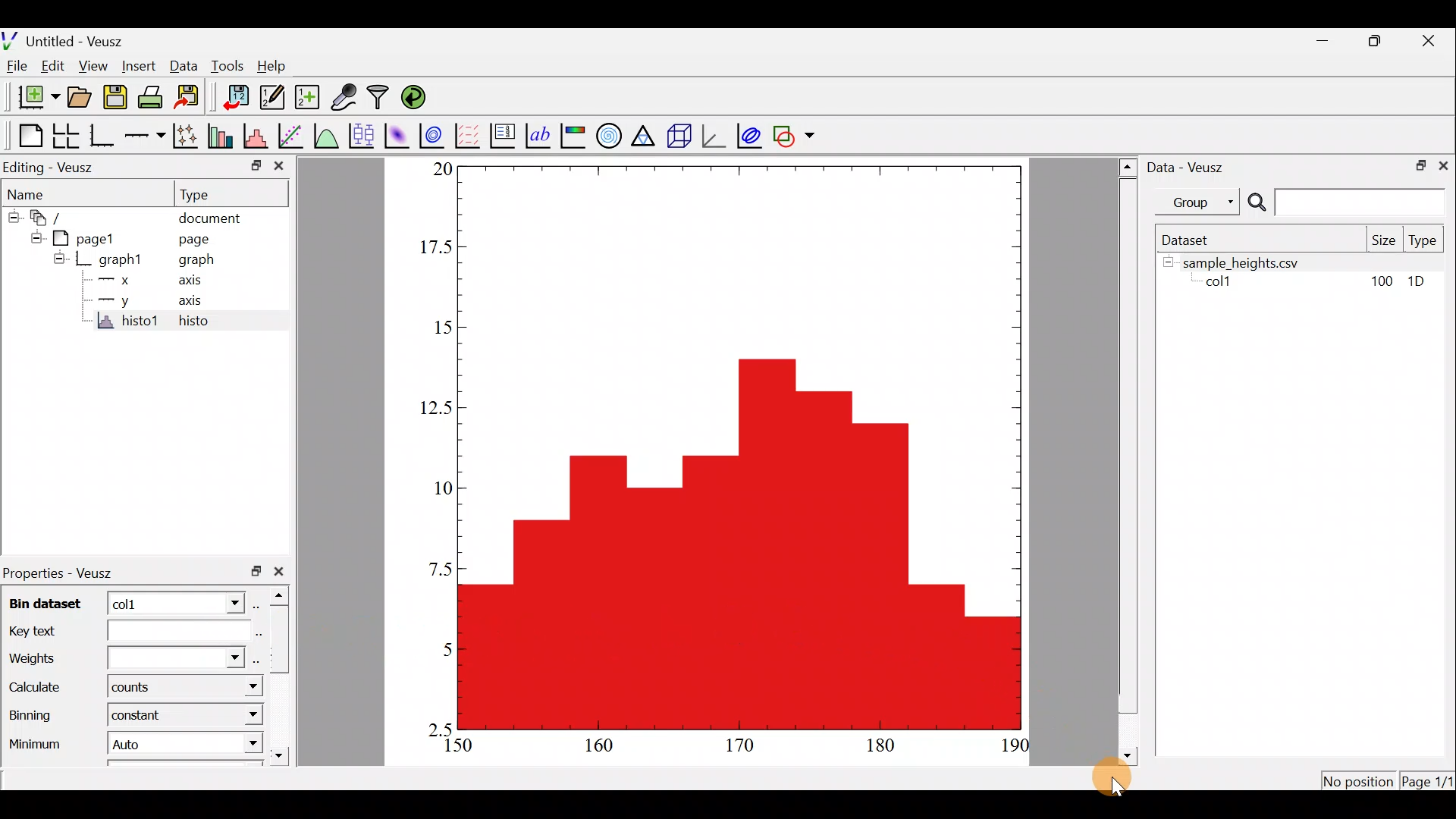  What do you see at coordinates (33, 101) in the screenshot?
I see `new document` at bounding box center [33, 101].